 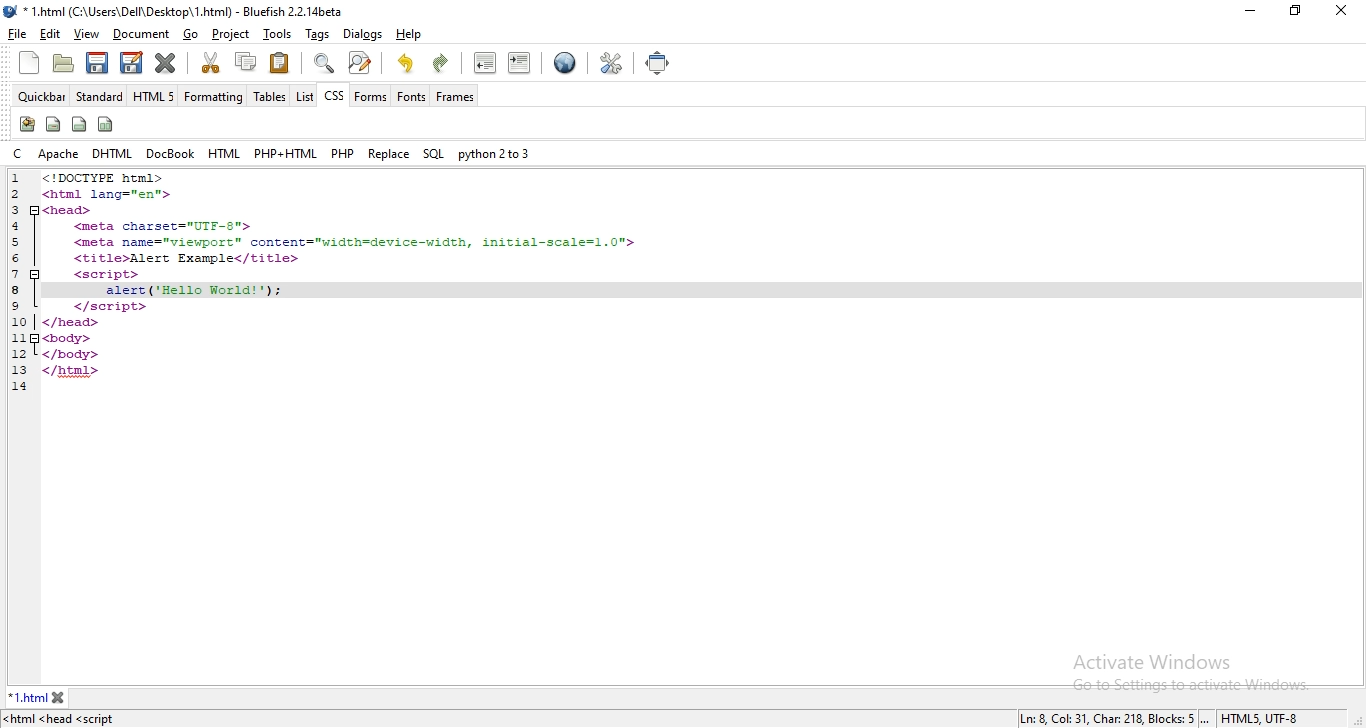 What do you see at coordinates (156, 96) in the screenshot?
I see `html 5` at bounding box center [156, 96].